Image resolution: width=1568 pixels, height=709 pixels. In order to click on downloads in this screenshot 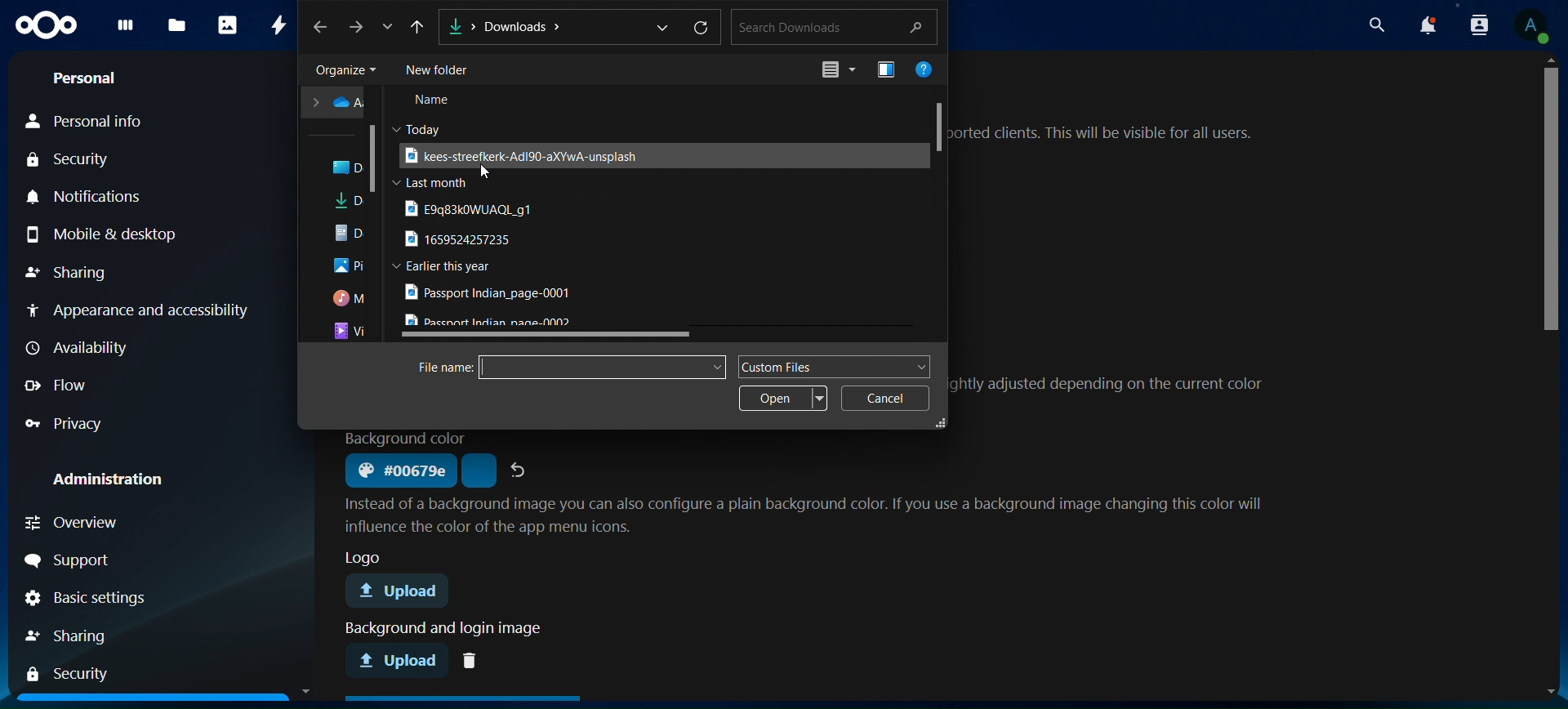, I will do `click(351, 203)`.